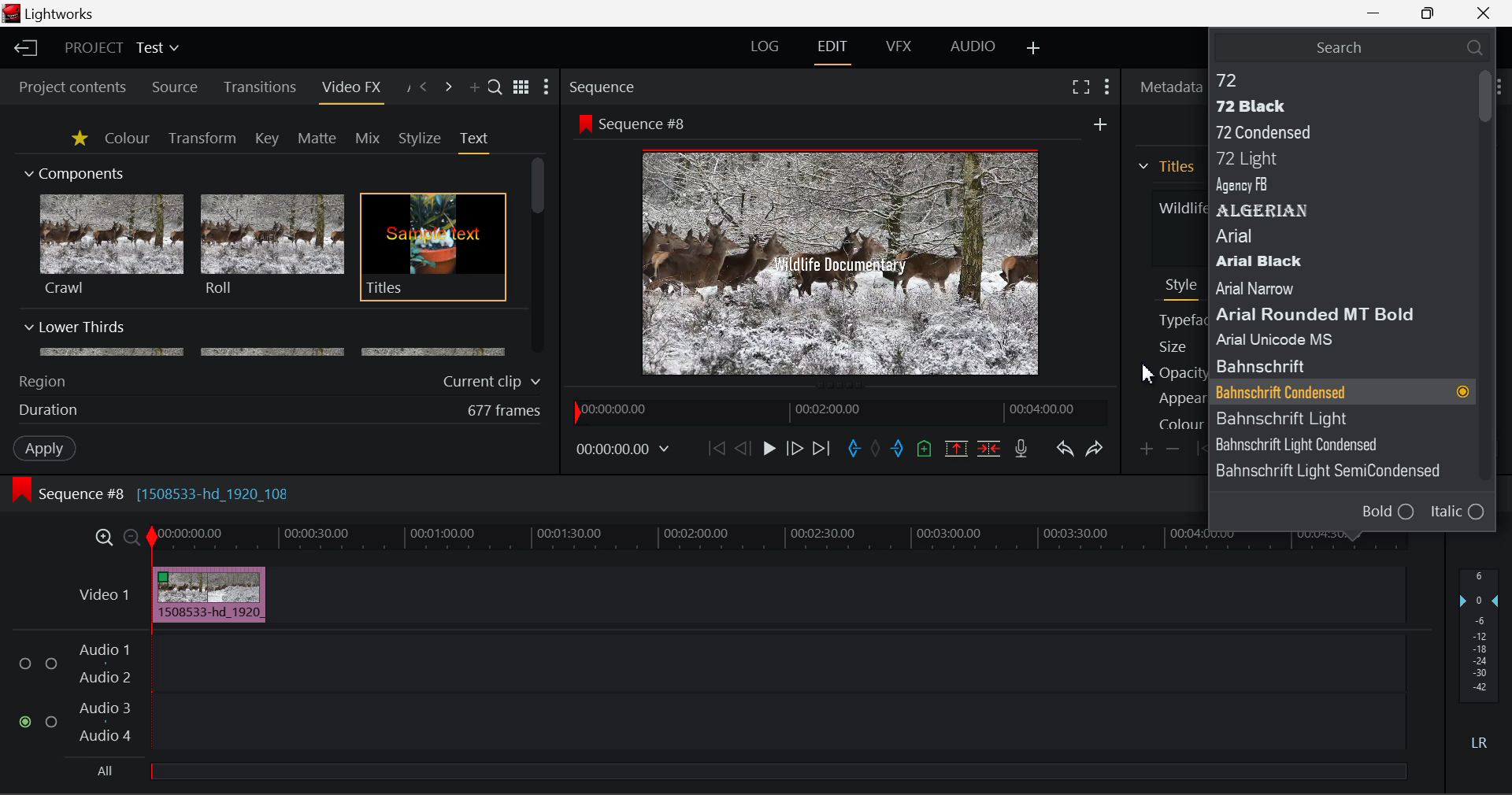 Image resolution: width=1512 pixels, height=795 pixels. Describe the element at coordinates (991, 448) in the screenshot. I see `Delete/Cut` at that location.